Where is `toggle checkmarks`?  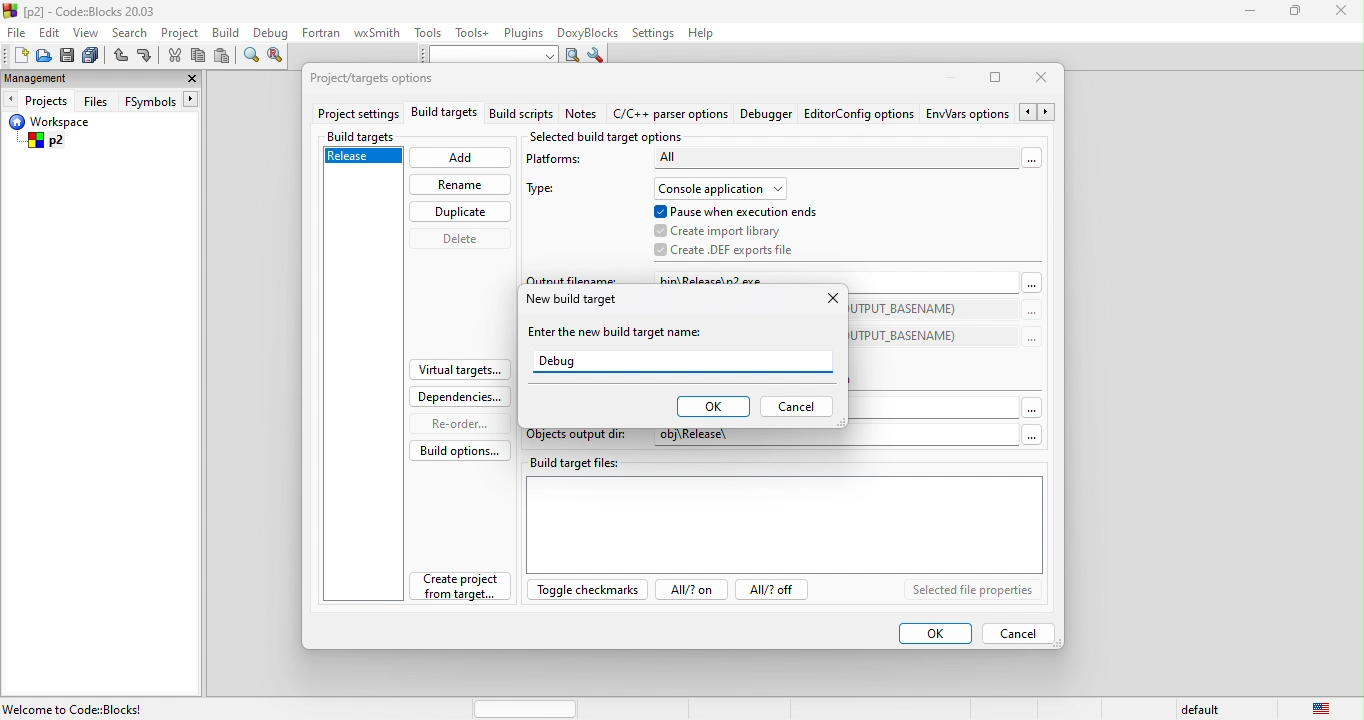
toggle checkmarks is located at coordinates (588, 589).